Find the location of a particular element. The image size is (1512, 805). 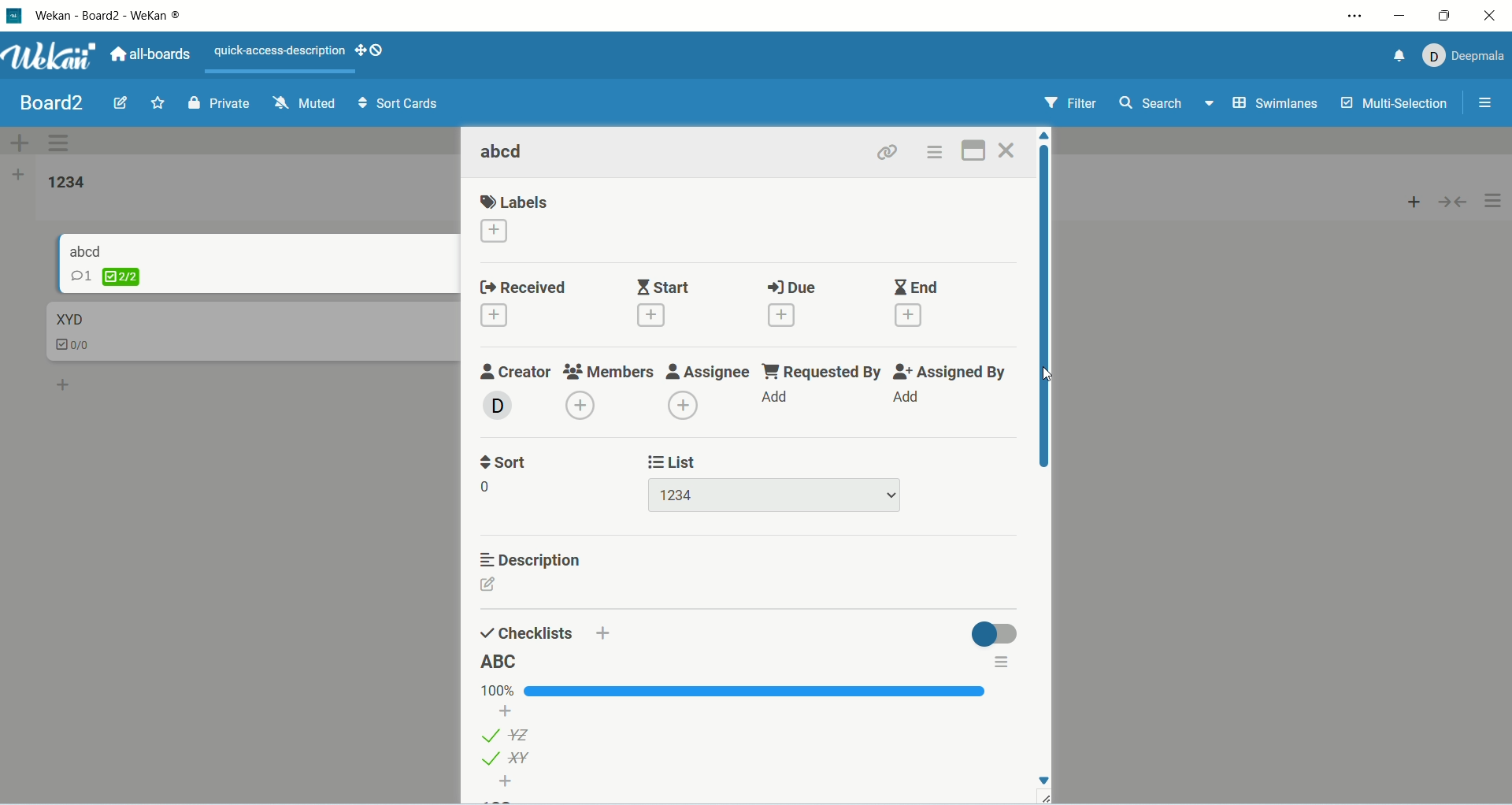

Down is located at coordinates (1043, 781).